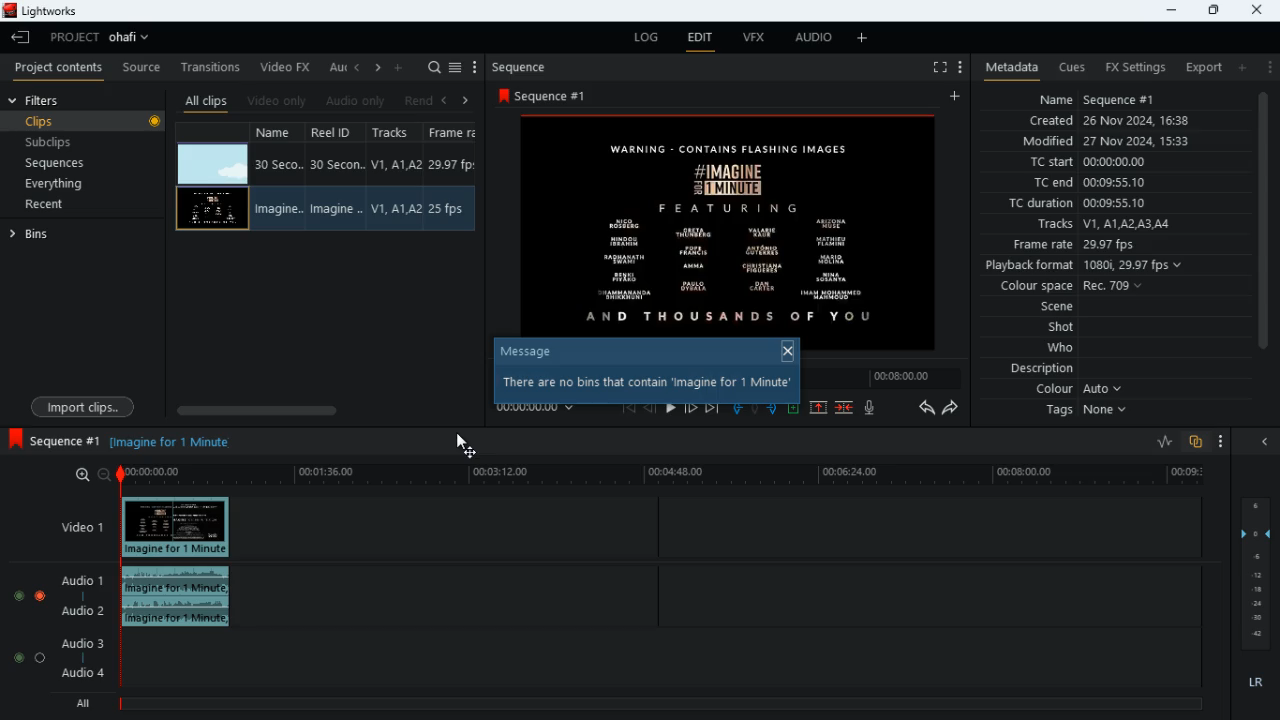  Describe the element at coordinates (1200, 67) in the screenshot. I see `export` at that location.